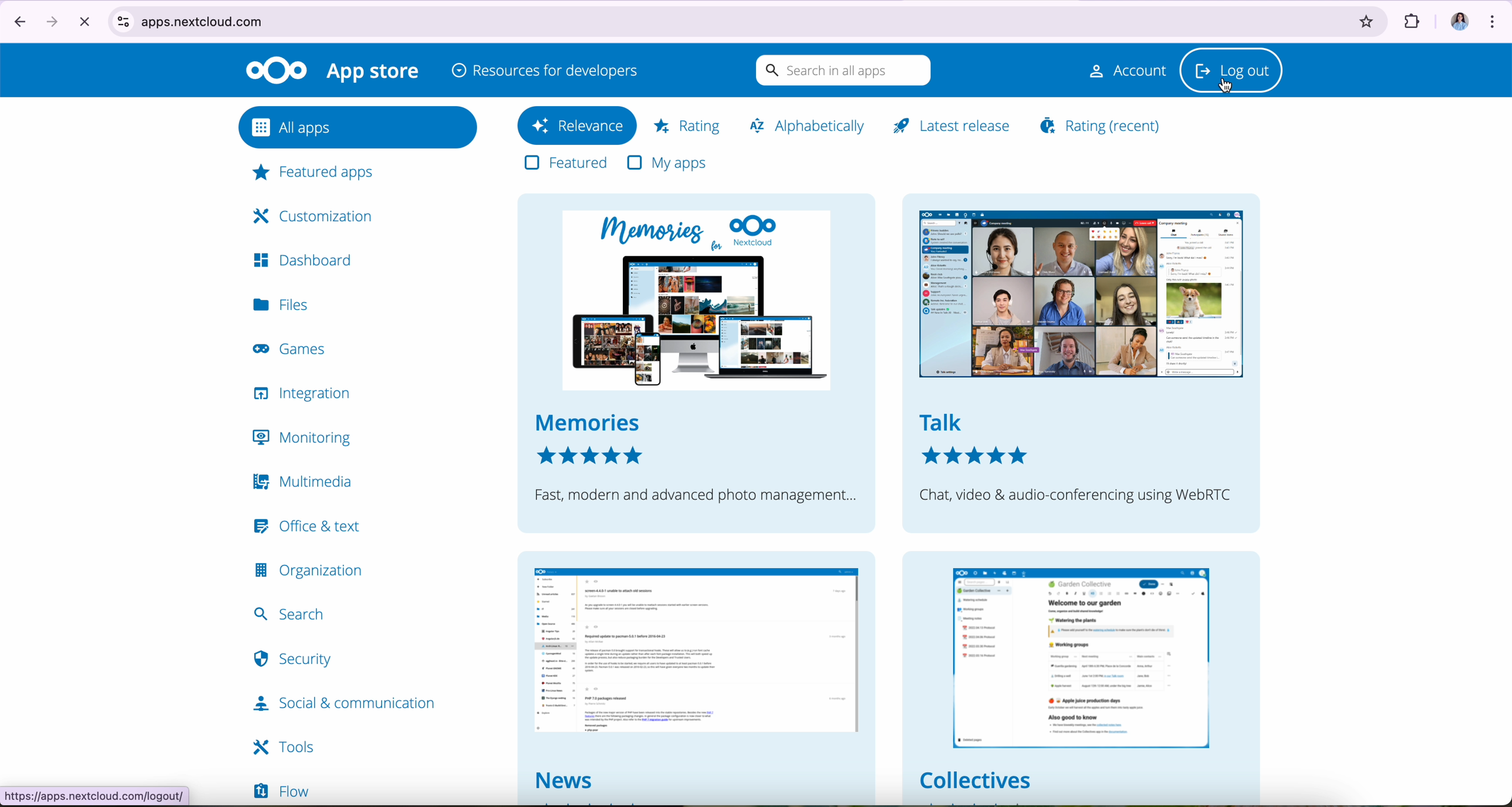 Image resolution: width=1512 pixels, height=807 pixels. I want to click on memories nextcloud memories fast, modern and advanced photo management.., so click(691, 364).